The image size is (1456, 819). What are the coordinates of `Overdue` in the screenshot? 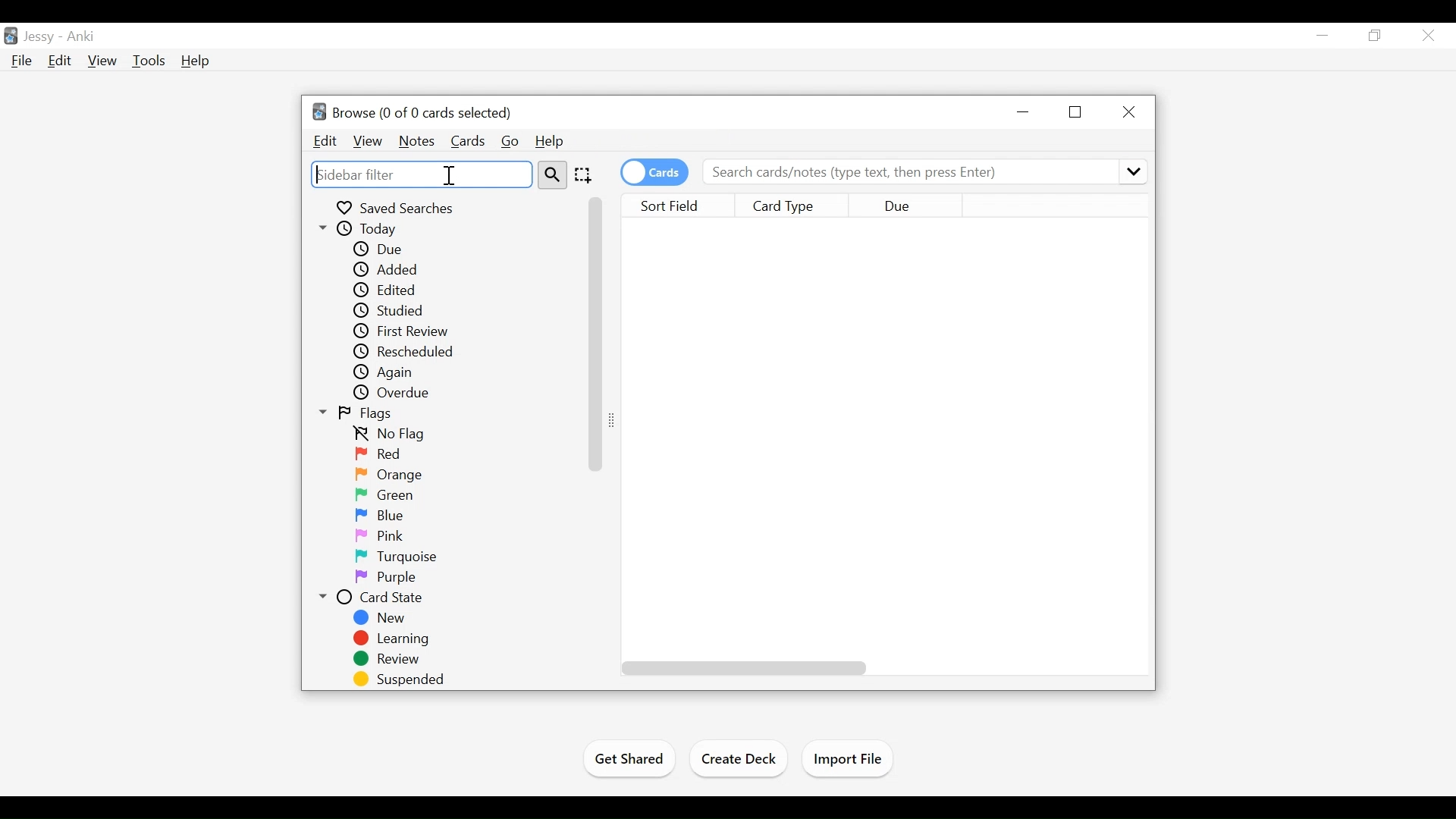 It's located at (393, 394).